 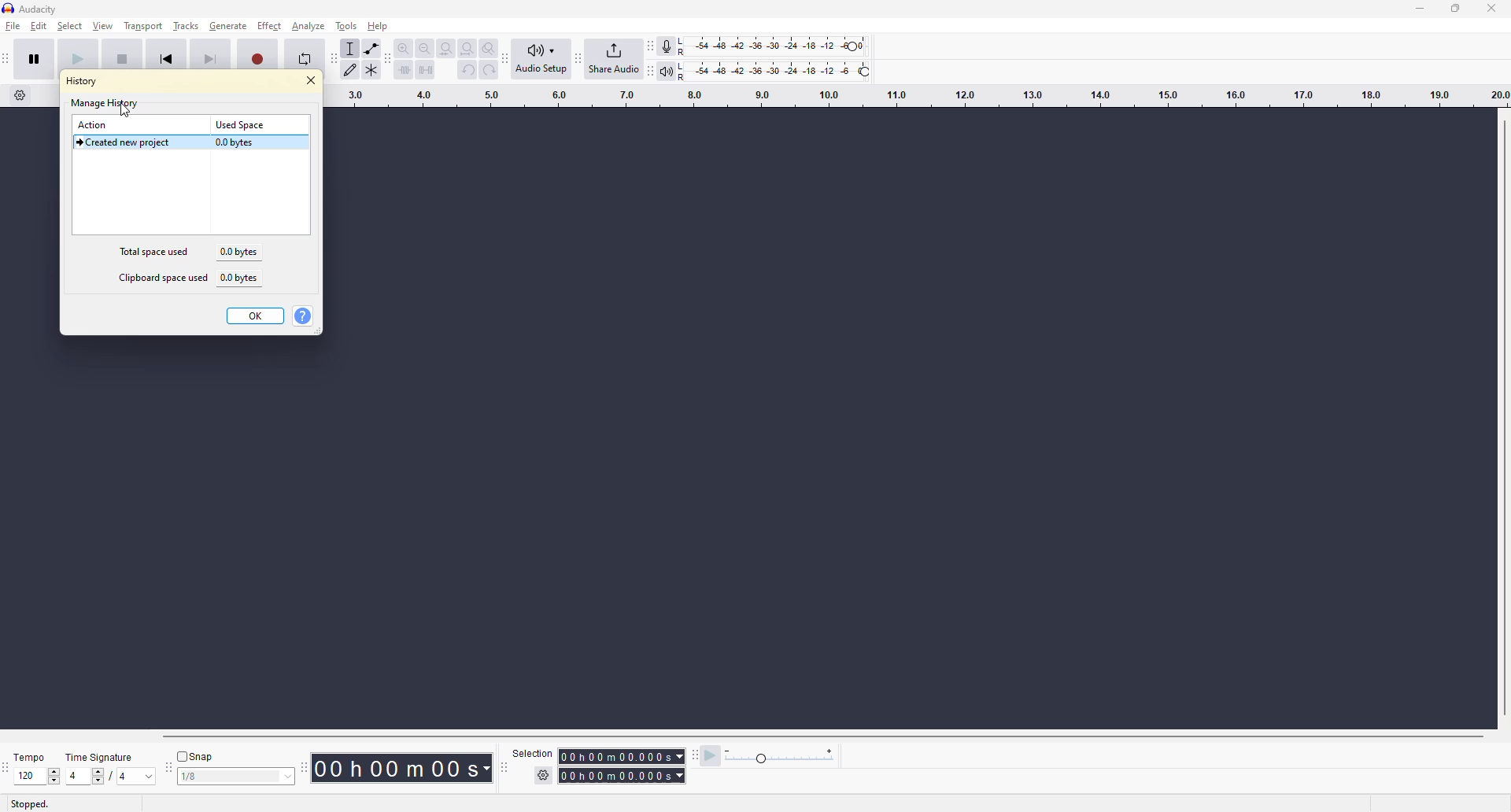 I want to click on value, so click(x=34, y=777).